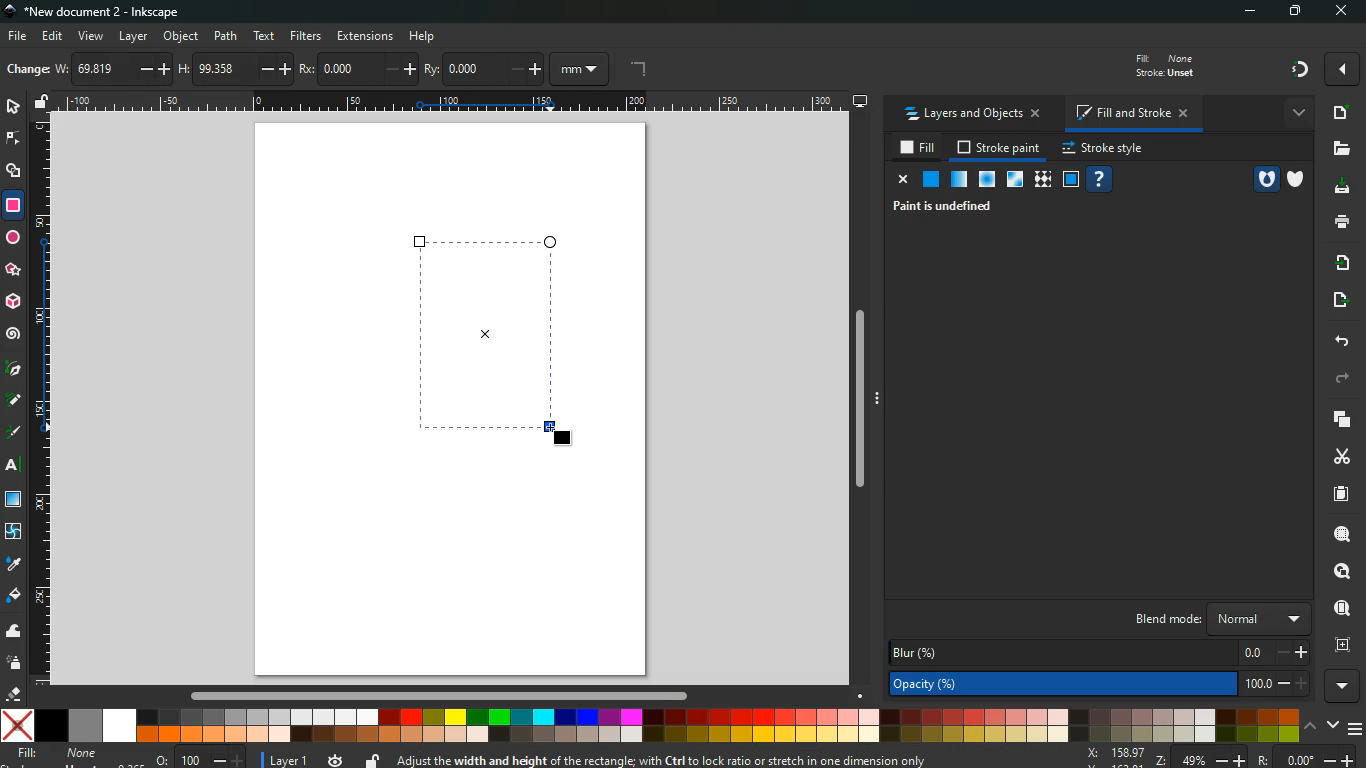  I want to click on opacity, so click(958, 180).